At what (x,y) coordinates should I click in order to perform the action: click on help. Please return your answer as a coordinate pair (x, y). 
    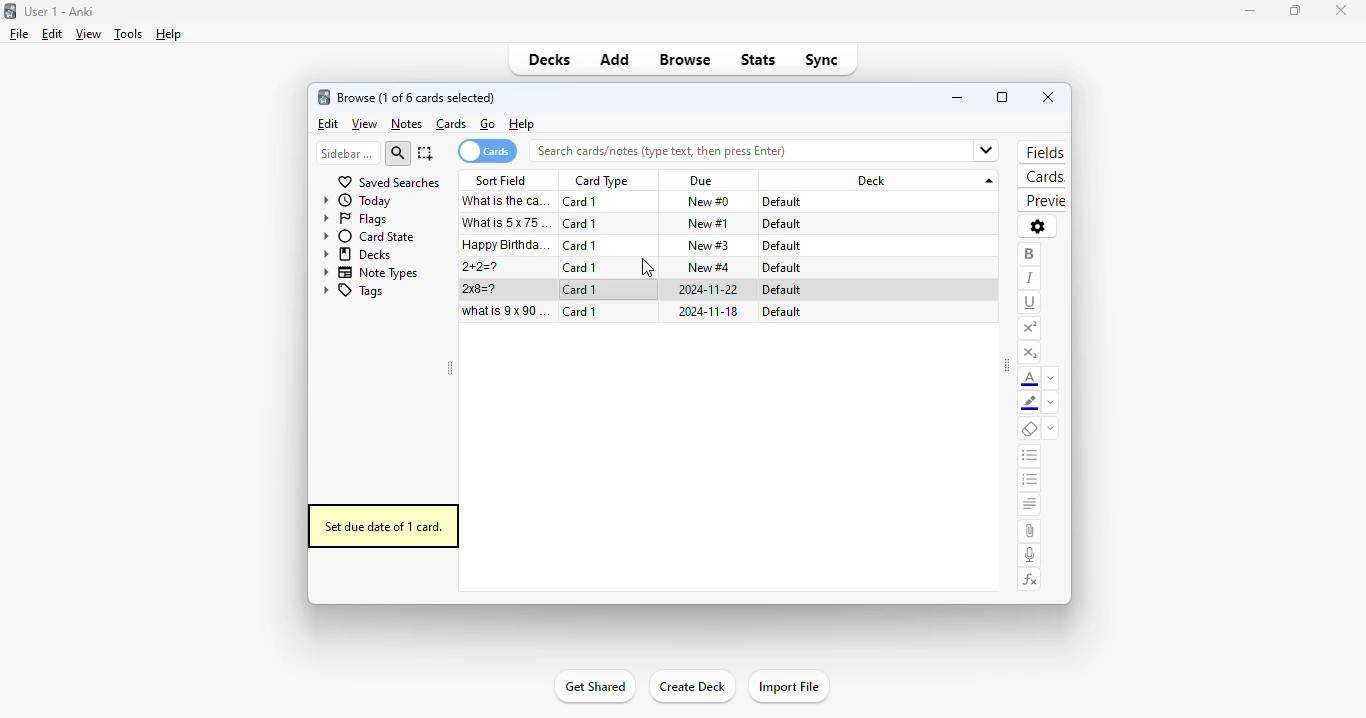
    Looking at the image, I should click on (521, 125).